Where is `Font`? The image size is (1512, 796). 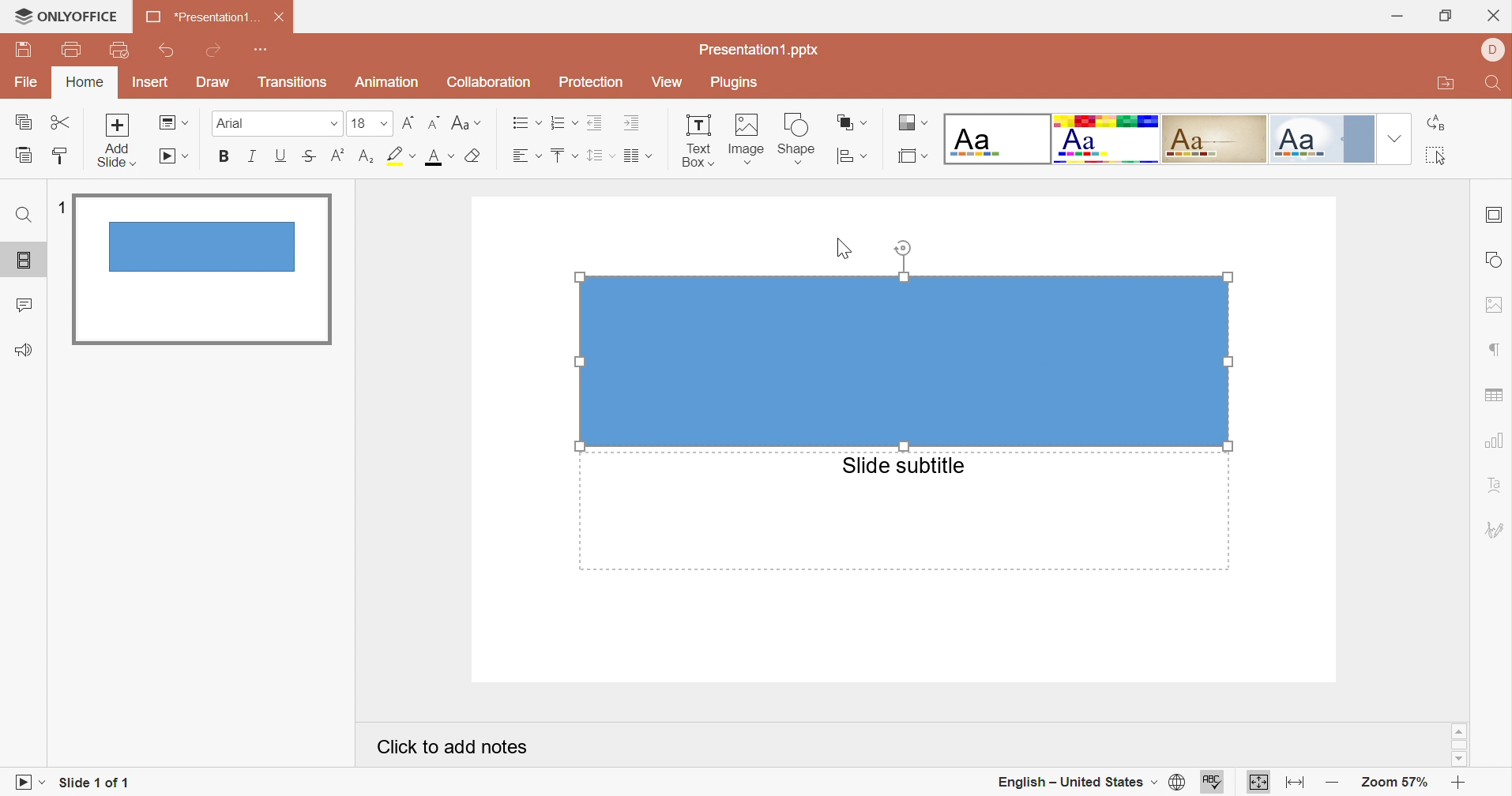
Font is located at coordinates (276, 123).